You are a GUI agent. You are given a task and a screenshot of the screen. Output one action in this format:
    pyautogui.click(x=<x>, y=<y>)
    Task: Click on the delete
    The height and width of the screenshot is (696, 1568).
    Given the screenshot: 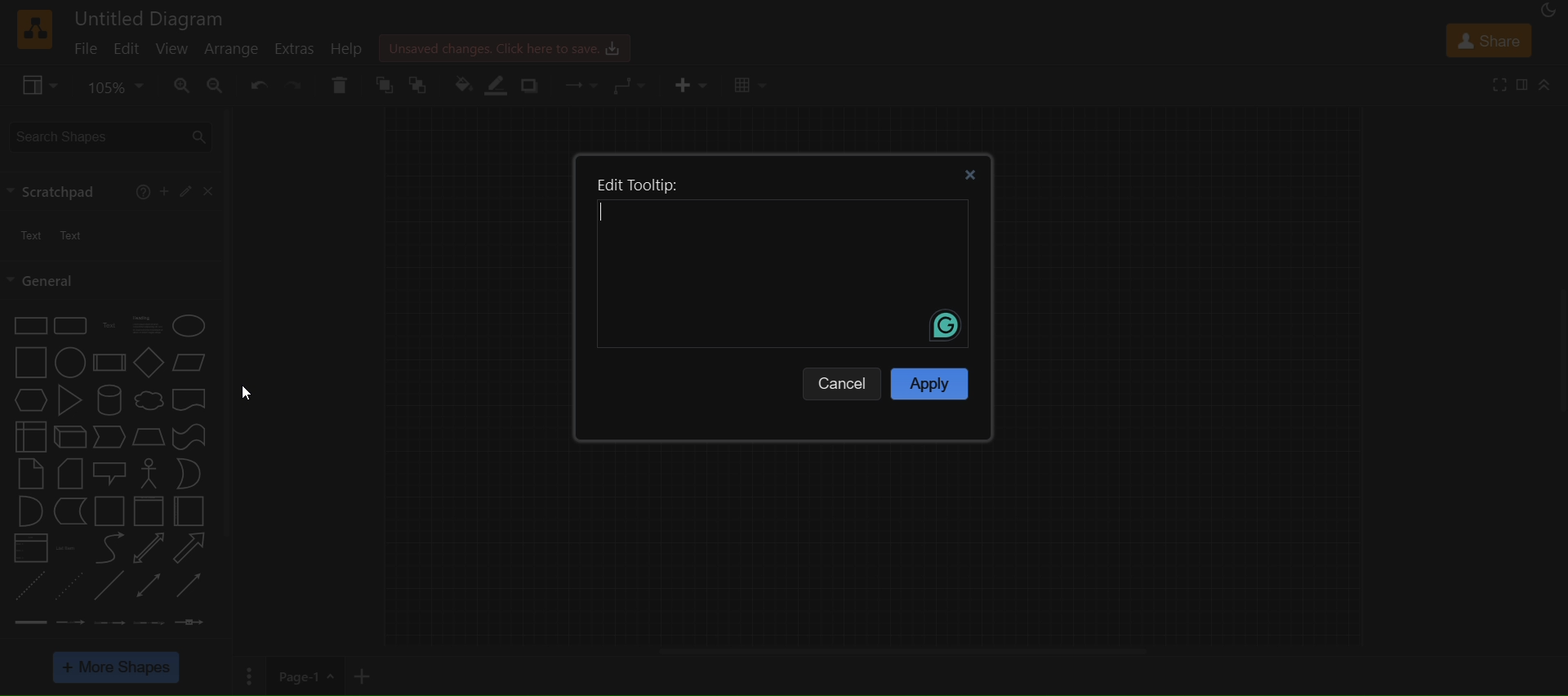 What is the action you would take?
    pyautogui.click(x=341, y=83)
    